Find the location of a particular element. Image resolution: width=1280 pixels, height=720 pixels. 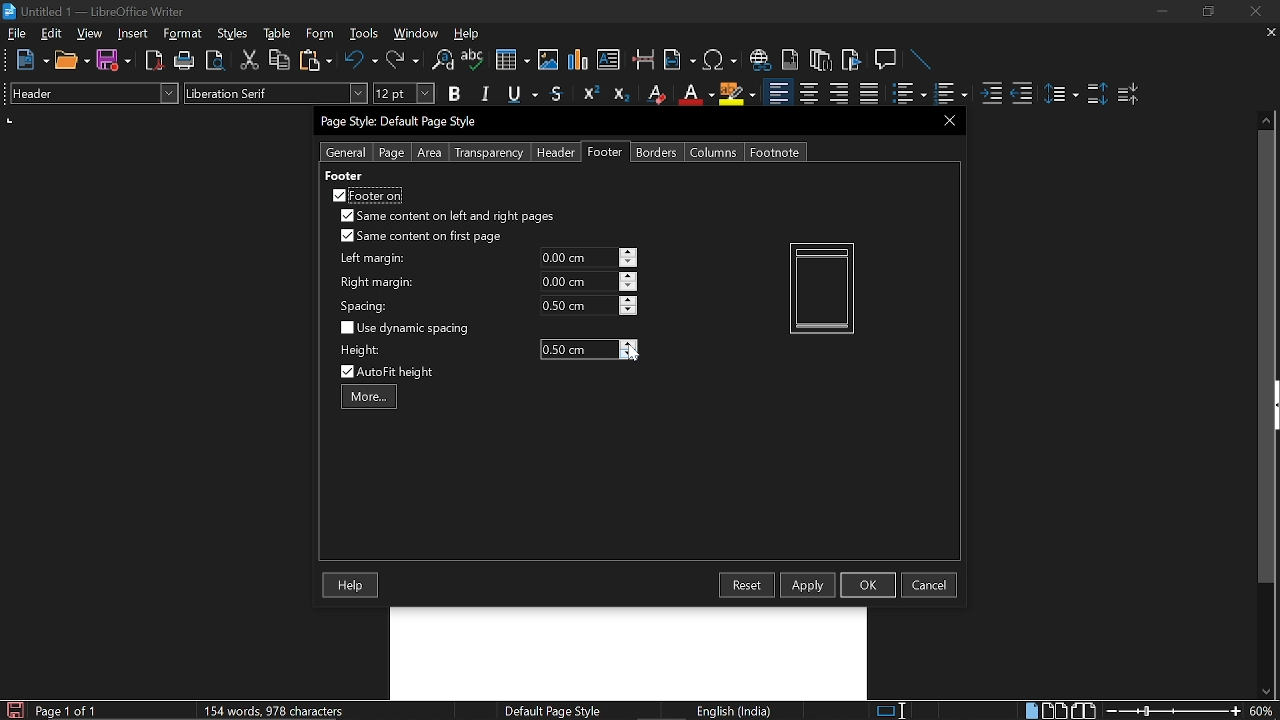

CLose is located at coordinates (947, 120).